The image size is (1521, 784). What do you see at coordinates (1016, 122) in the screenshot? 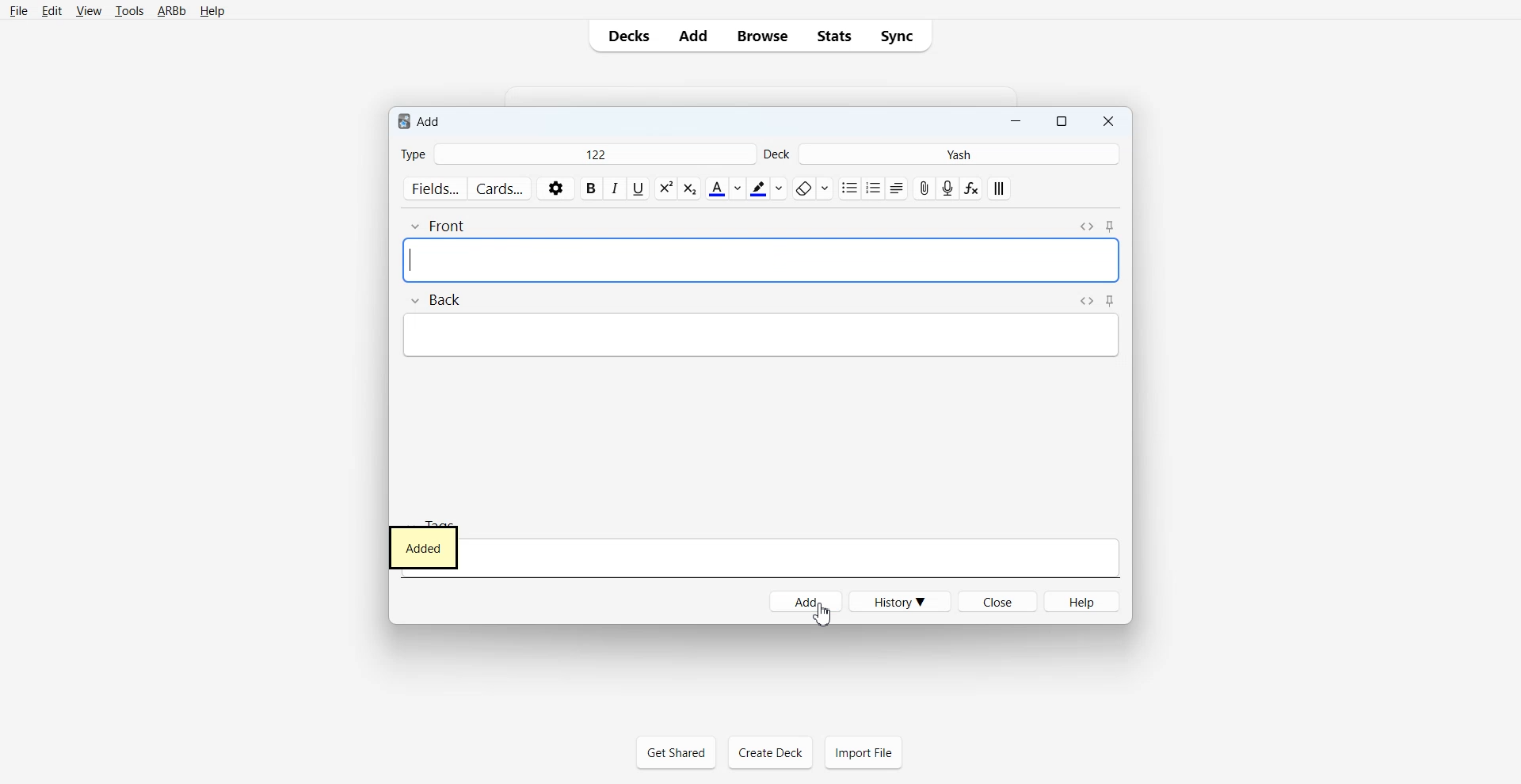
I see `Minimize` at bounding box center [1016, 122].